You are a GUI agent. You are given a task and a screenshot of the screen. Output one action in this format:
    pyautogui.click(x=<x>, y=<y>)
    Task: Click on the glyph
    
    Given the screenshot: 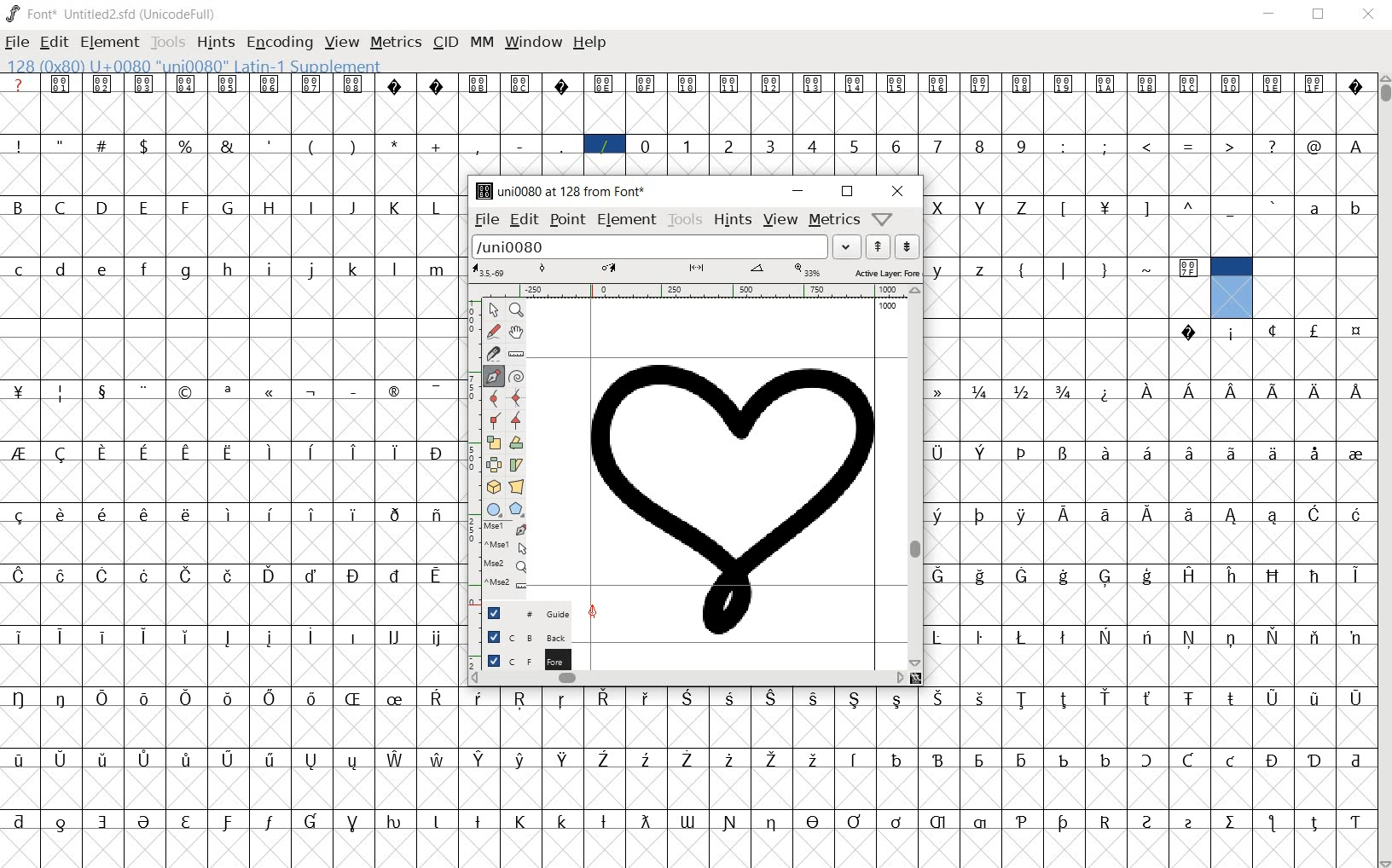 What is the action you would take?
    pyautogui.click(x=898, y=760)
    